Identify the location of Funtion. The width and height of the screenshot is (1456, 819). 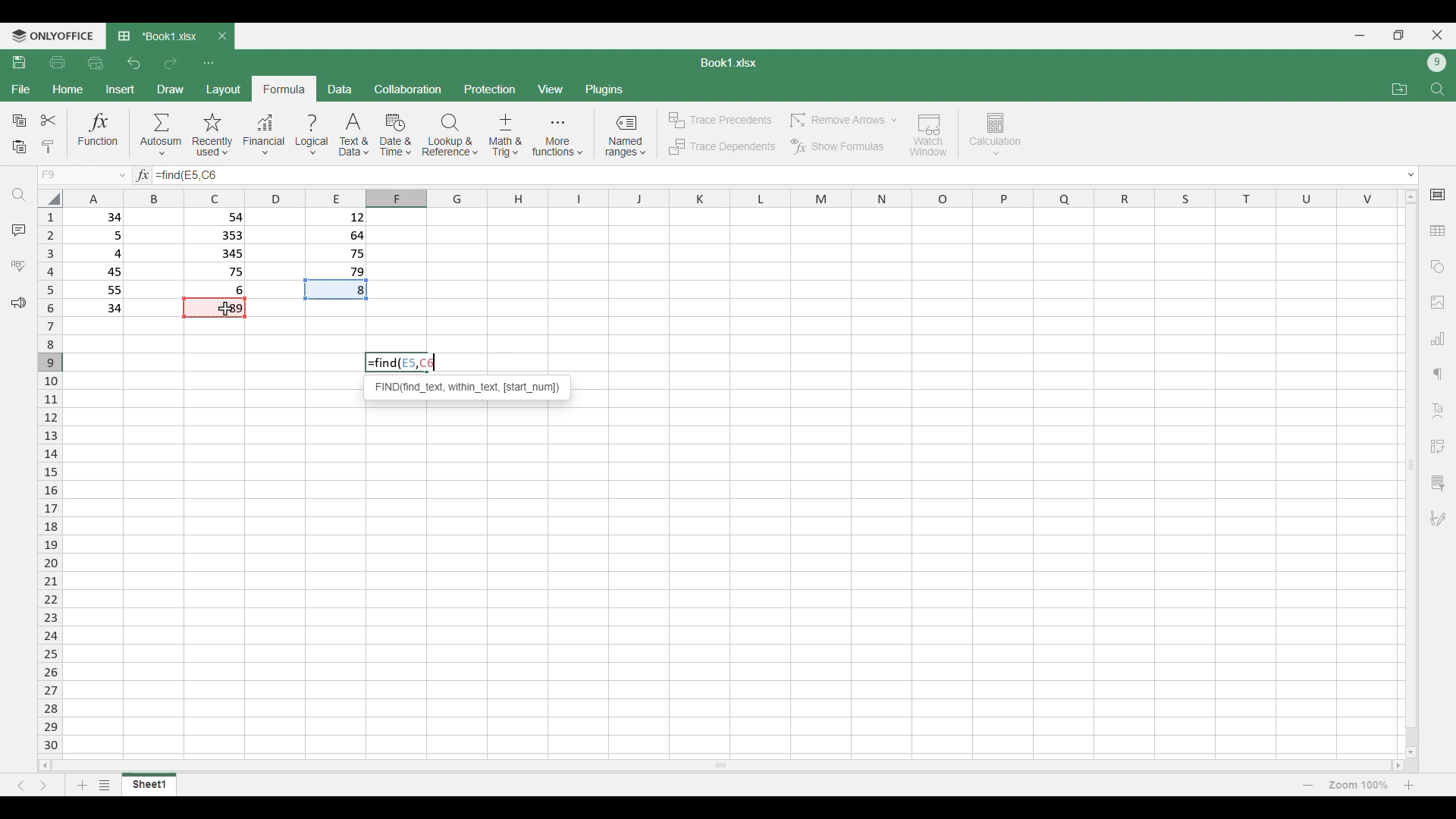
(99, 133).